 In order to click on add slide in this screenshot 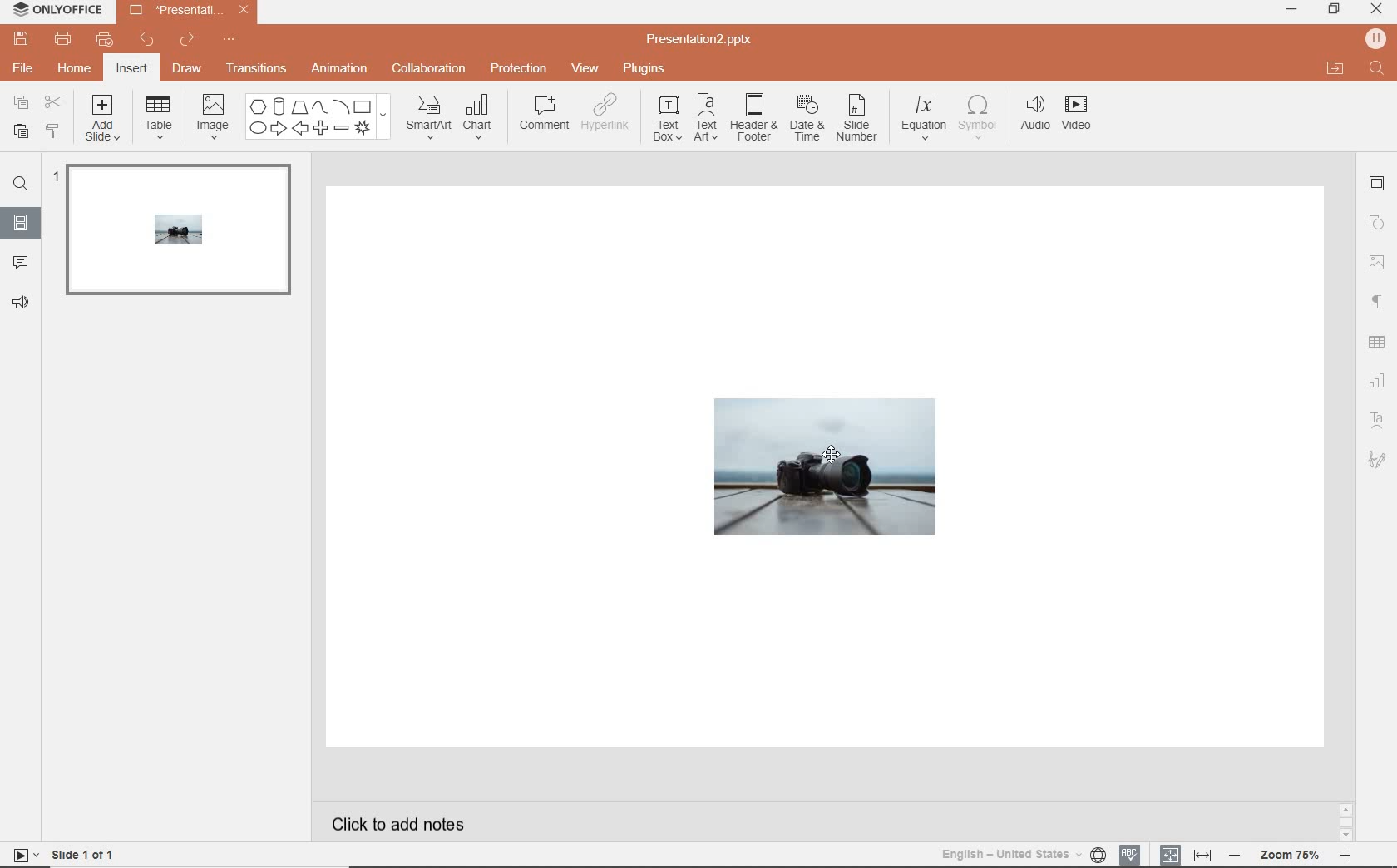, I will do `click(104, 118)`.